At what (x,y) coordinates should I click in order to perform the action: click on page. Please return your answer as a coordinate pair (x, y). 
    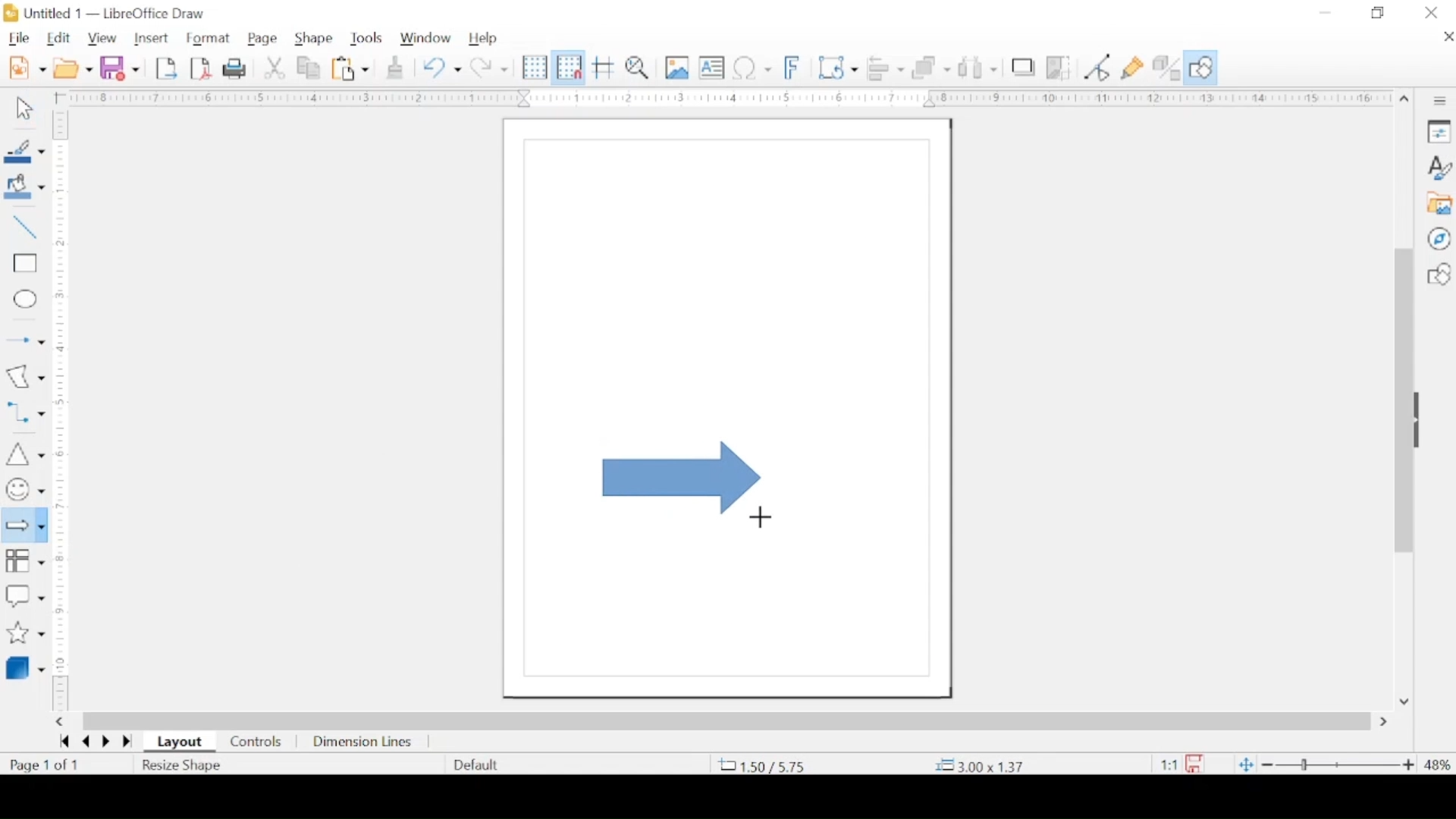
    Looking at the image, I should click on (263, 39).